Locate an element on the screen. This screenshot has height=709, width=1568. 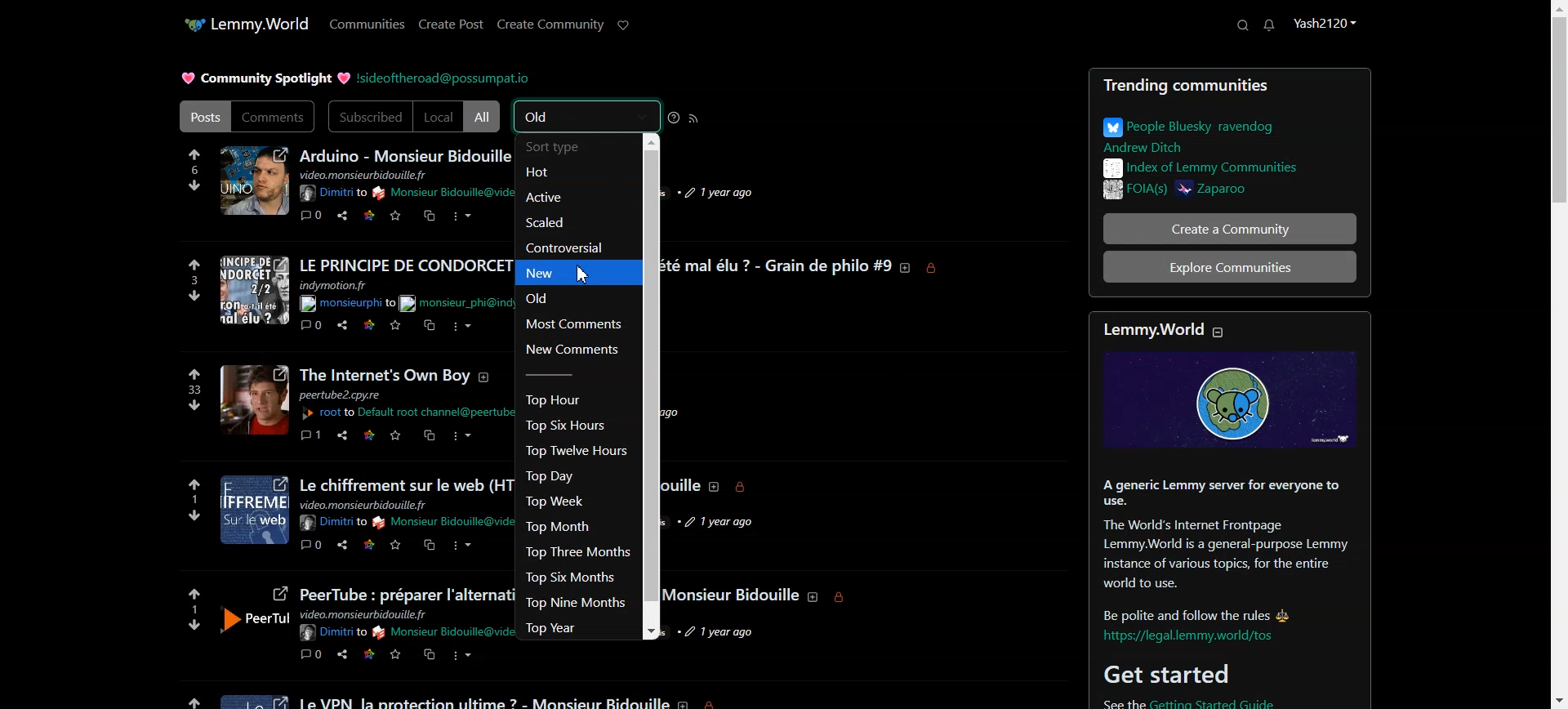
 is located at coordinates (461, 657).